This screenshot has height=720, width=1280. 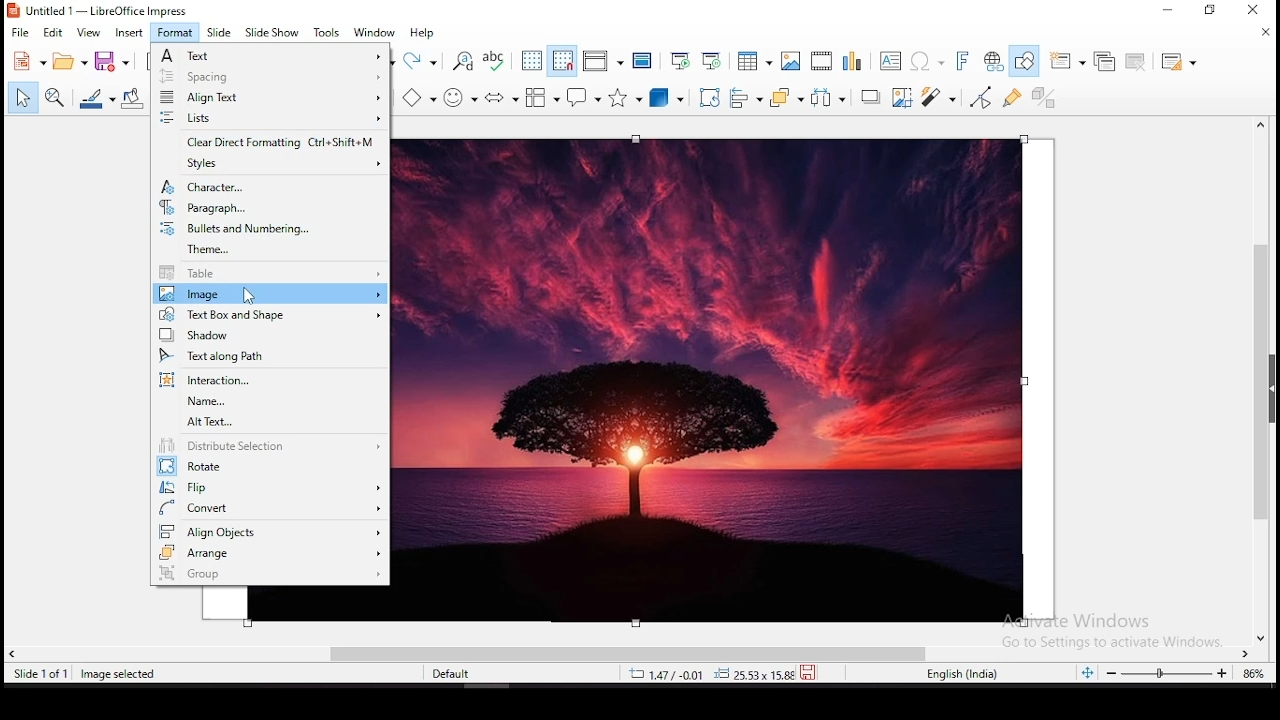 What do you see at coordinates (561, 62) in the screenshot?
I see `snap to grid` at bounding box center [561, 62].